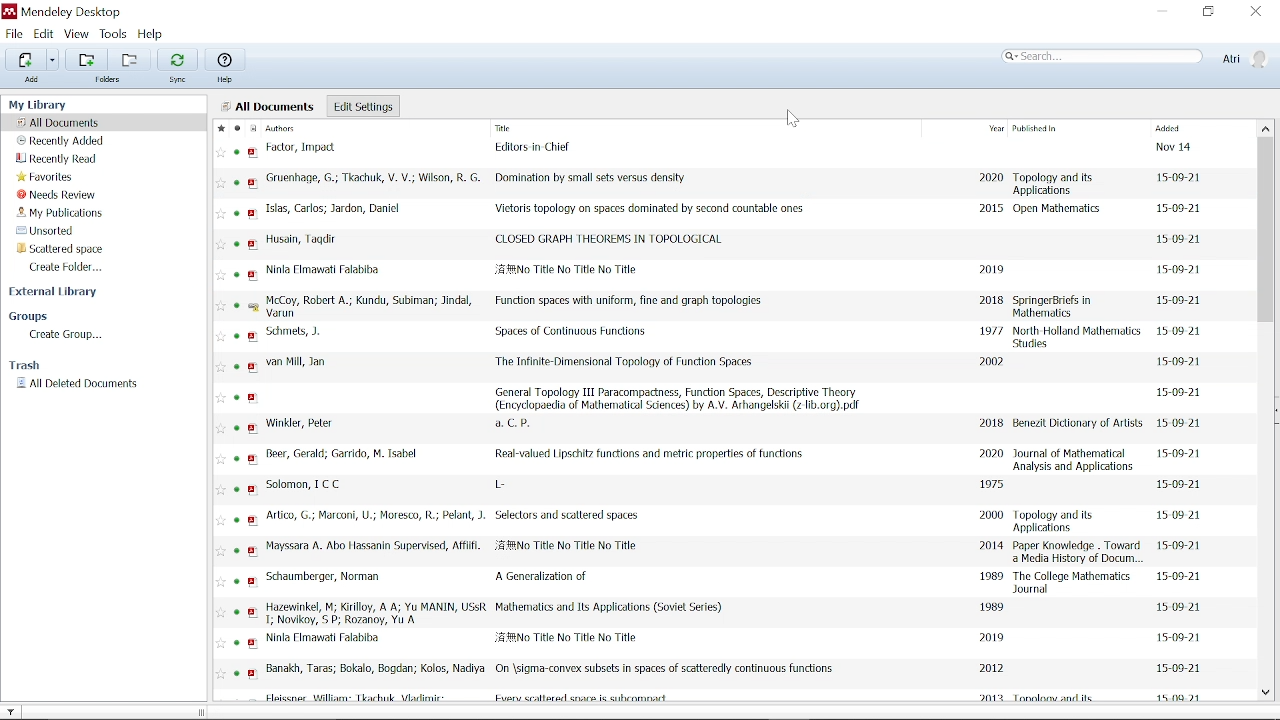 The image size is (1280, 720). Describe the element at coordinates (220, 129) in the screenshot. I see `Mark as favorite` at that location.